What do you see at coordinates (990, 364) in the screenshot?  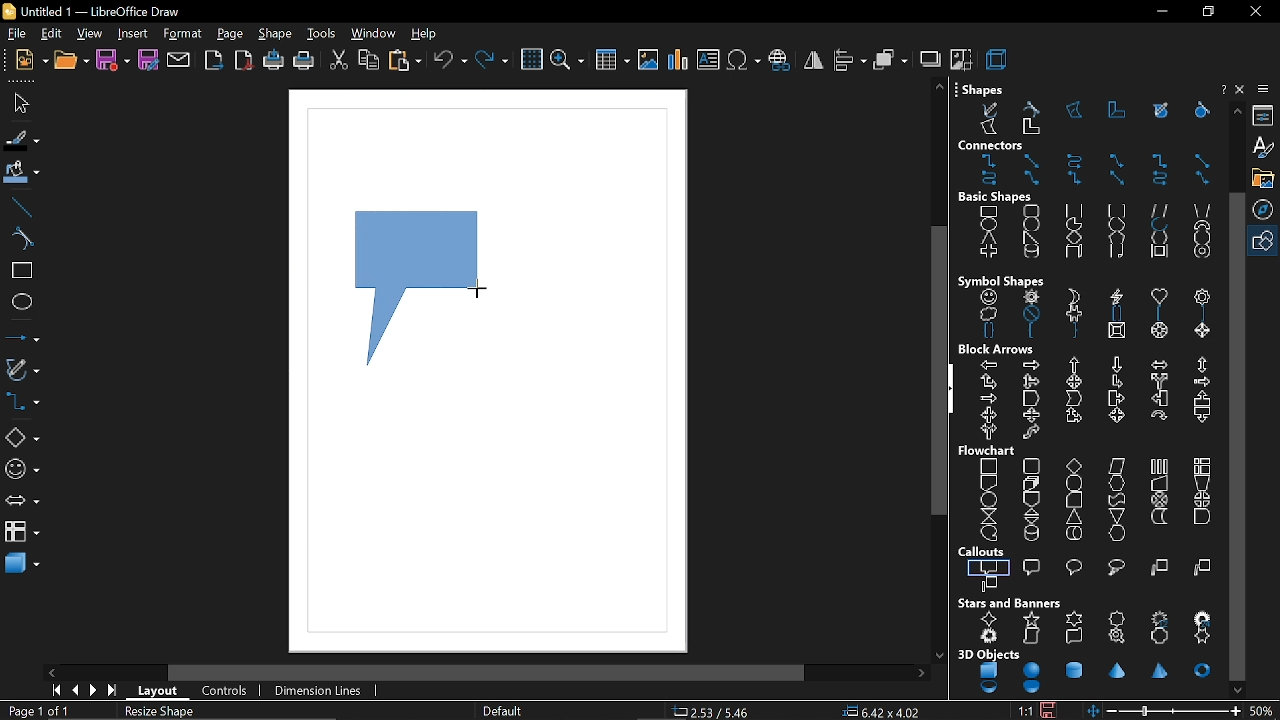 I see `left arrow` at bounding box center [990, 364].